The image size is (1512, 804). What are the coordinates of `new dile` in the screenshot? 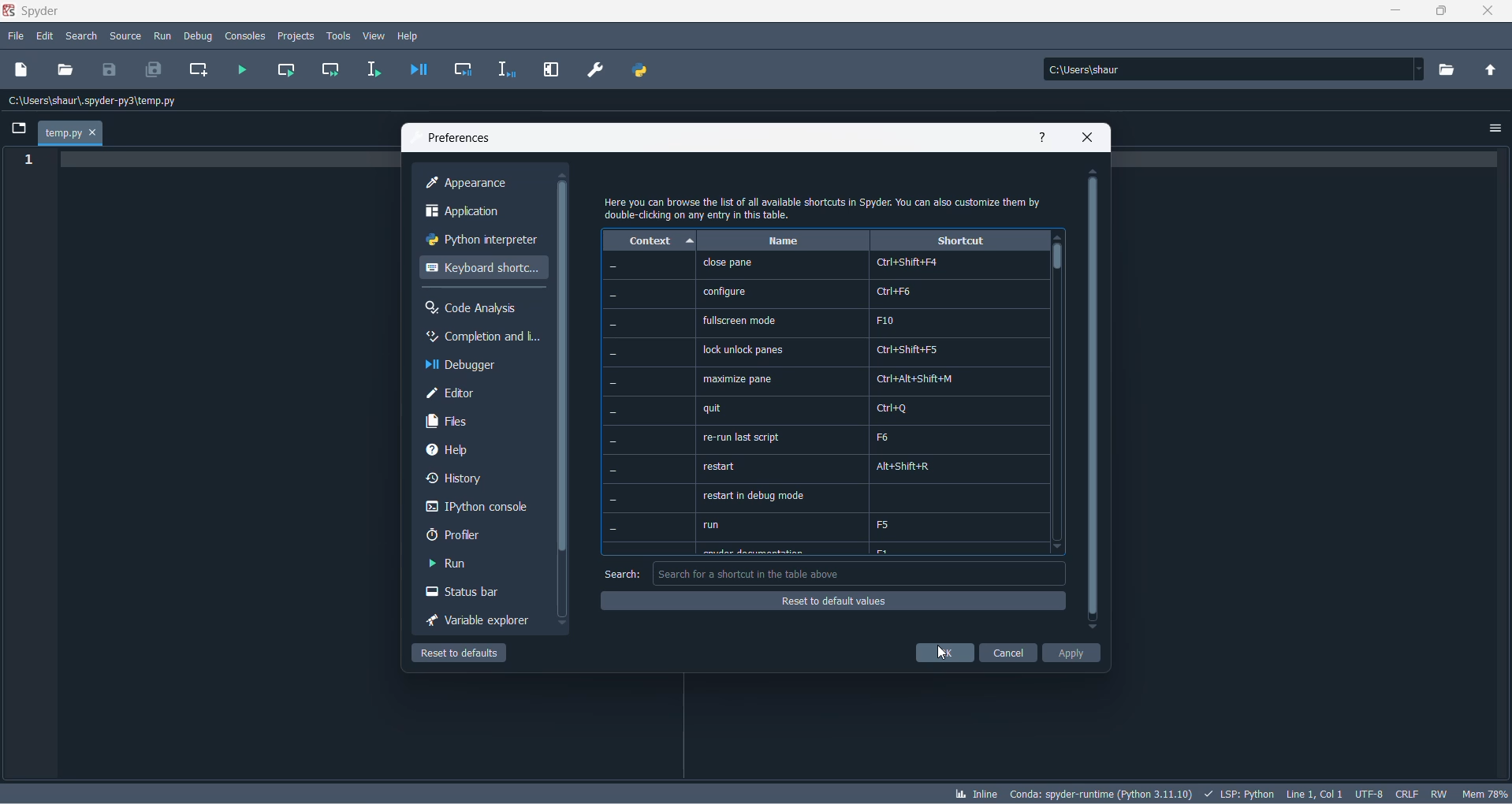 It's located at (22, 69).